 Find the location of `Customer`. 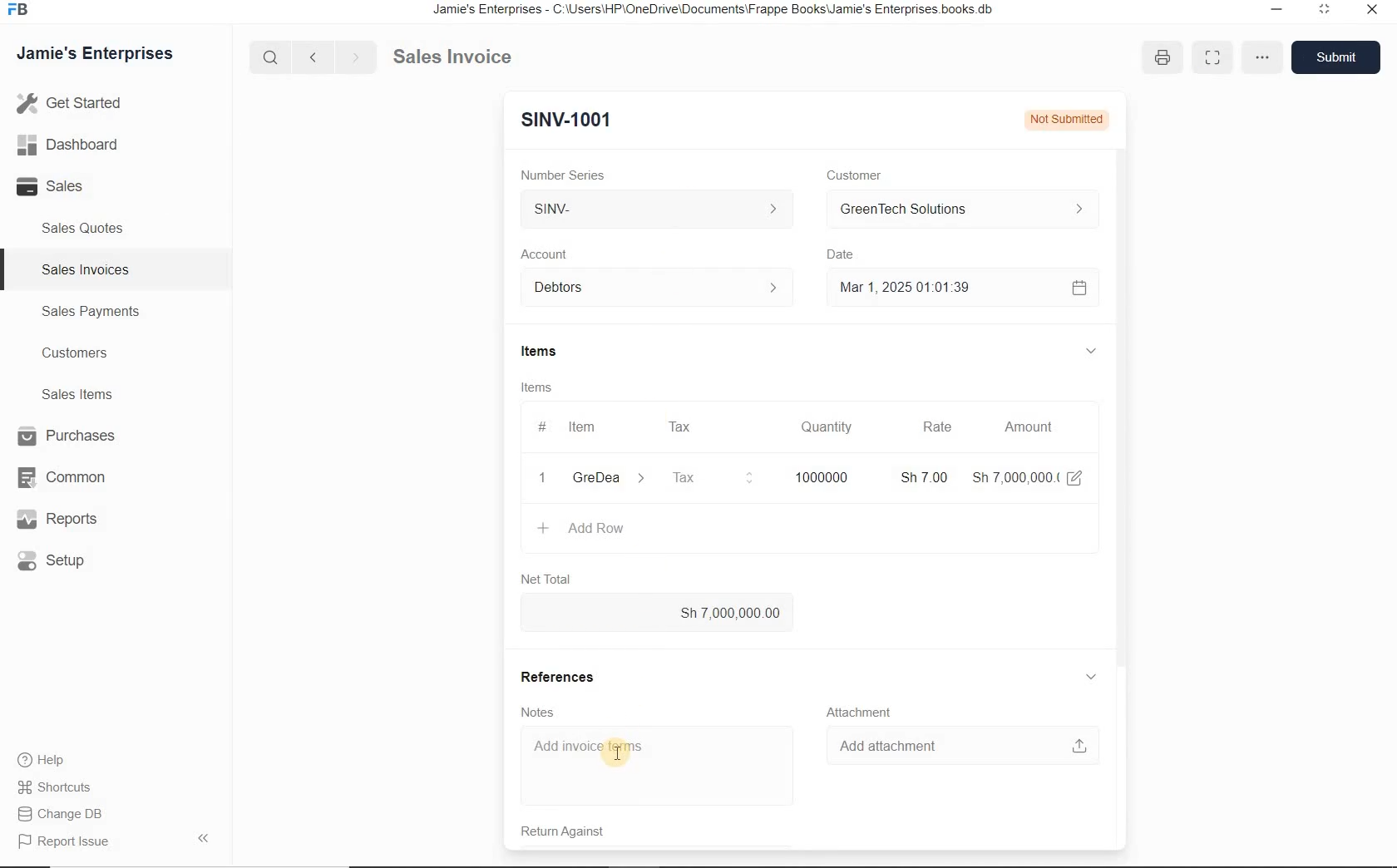

Customer is located at coordinates (849, 175).